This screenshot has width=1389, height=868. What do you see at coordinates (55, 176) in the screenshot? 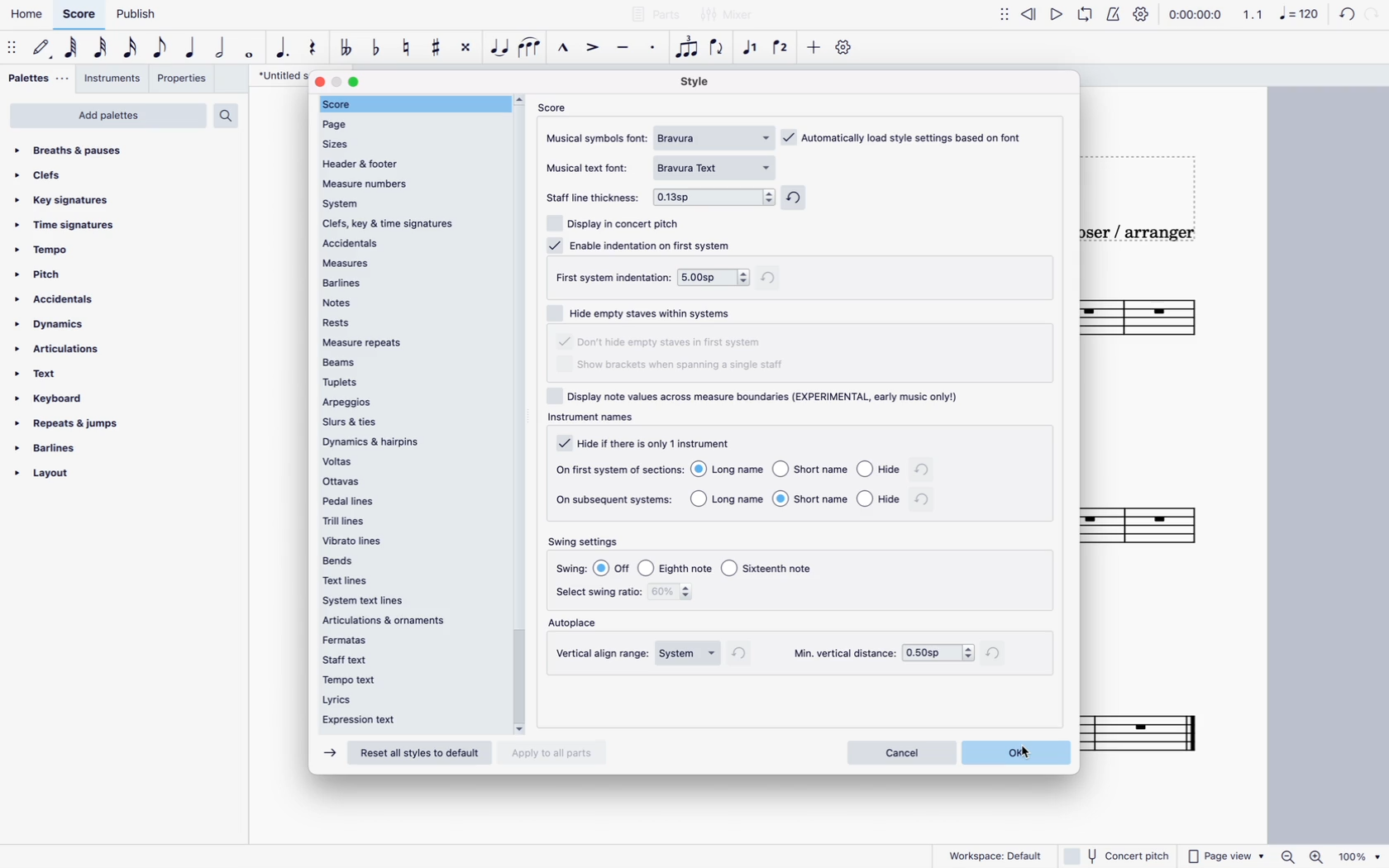
I see `clefs` at bounding box center [55, 176].